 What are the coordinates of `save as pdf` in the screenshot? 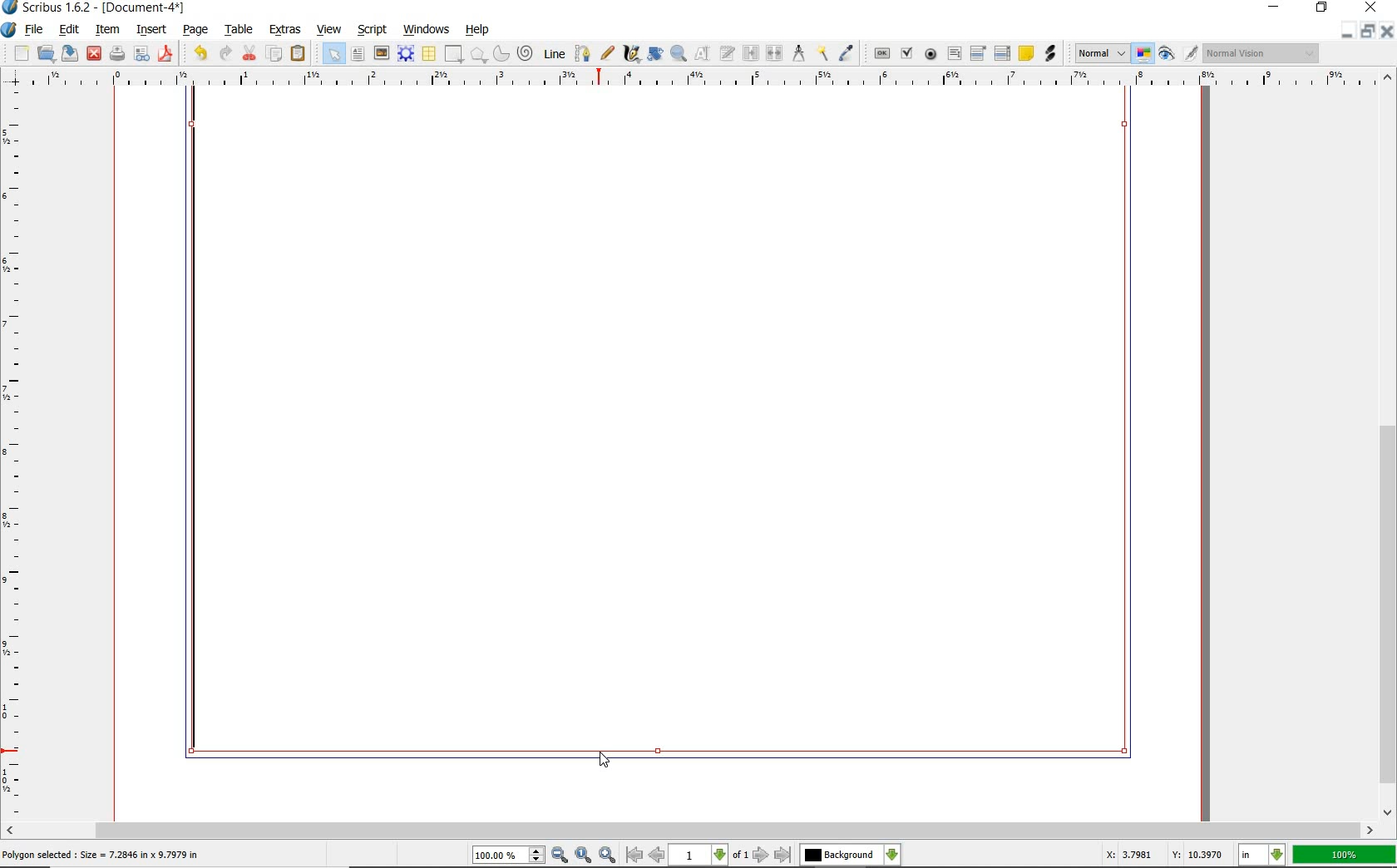 It's located at (166, 53).